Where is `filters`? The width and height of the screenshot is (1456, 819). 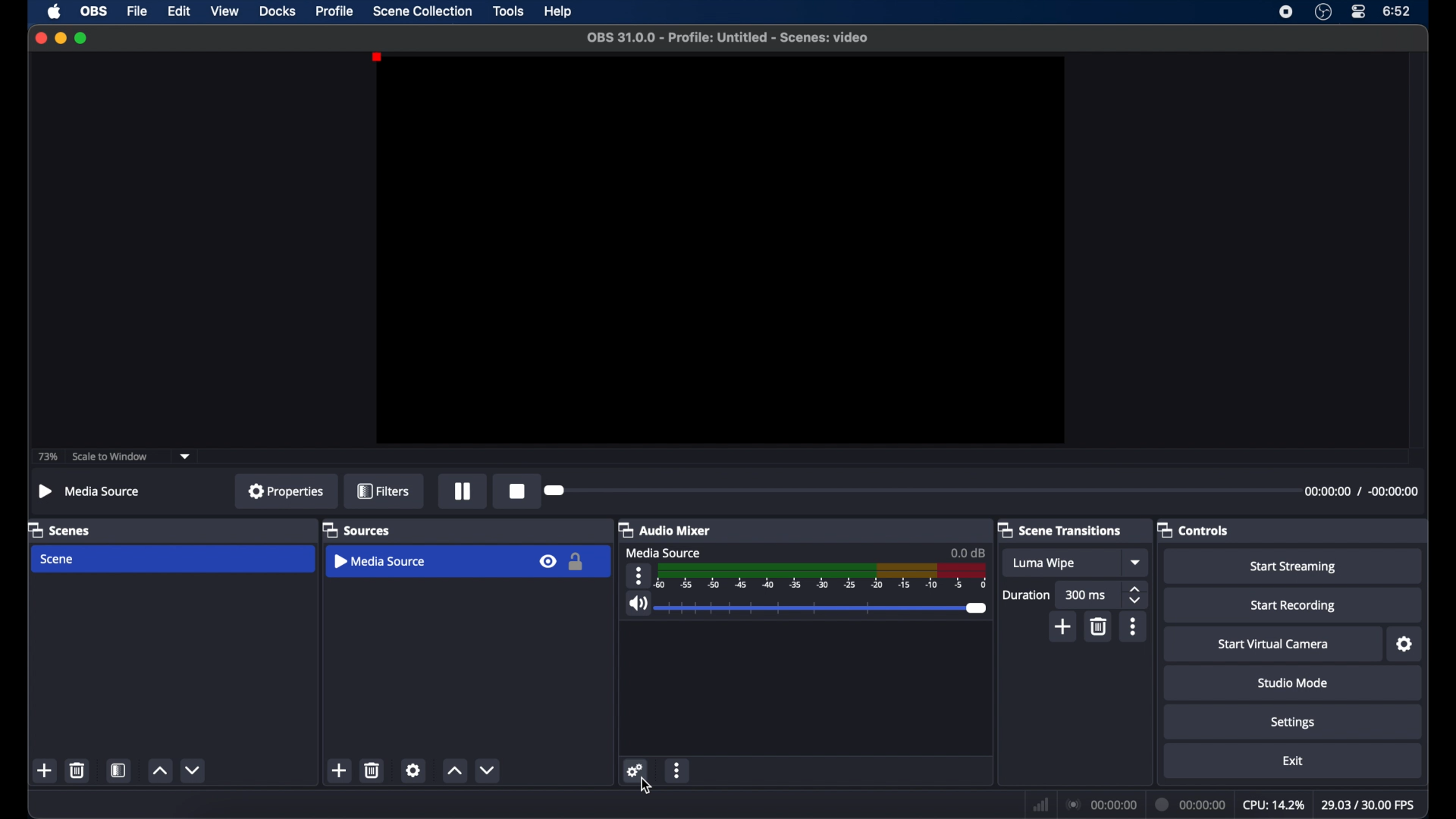
filters is located at coordinates (383, 491).